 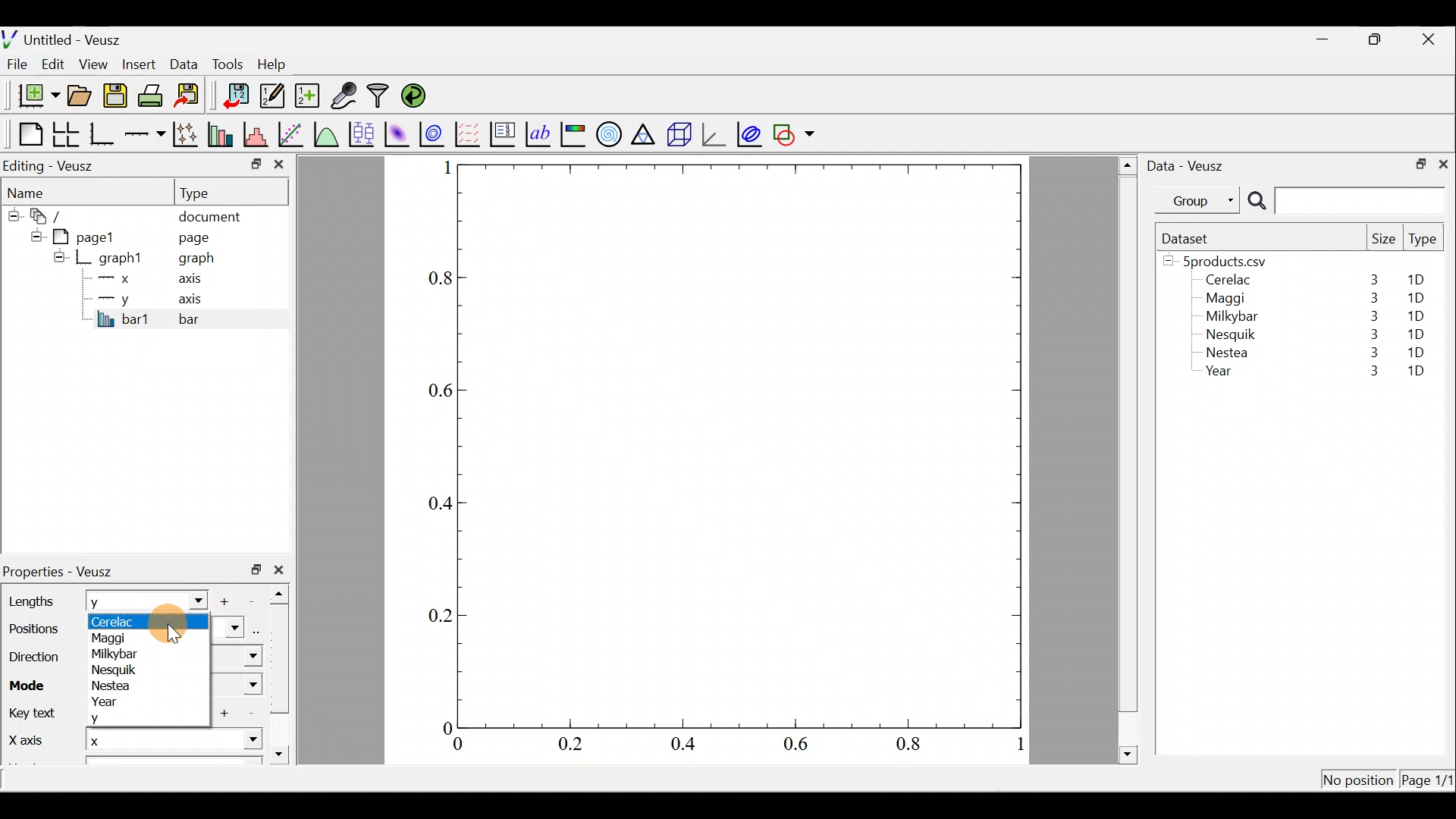 What do you see at coordinates (678, 134) in the screenshot?
I see `3d scene` at bounding box center [678, 134].